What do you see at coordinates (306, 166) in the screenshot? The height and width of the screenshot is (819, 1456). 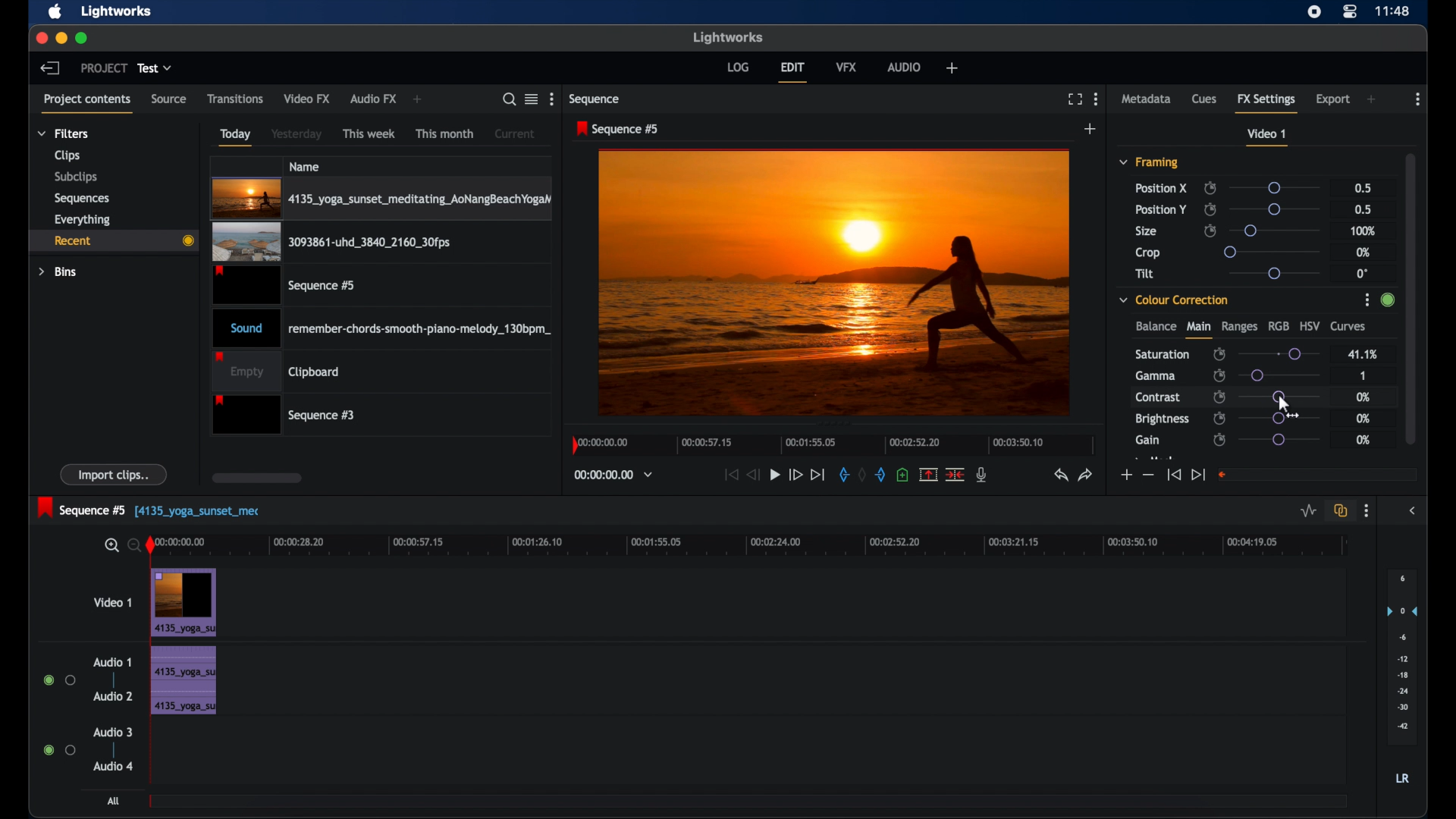 I see `name` at bounding box center [306, 166].